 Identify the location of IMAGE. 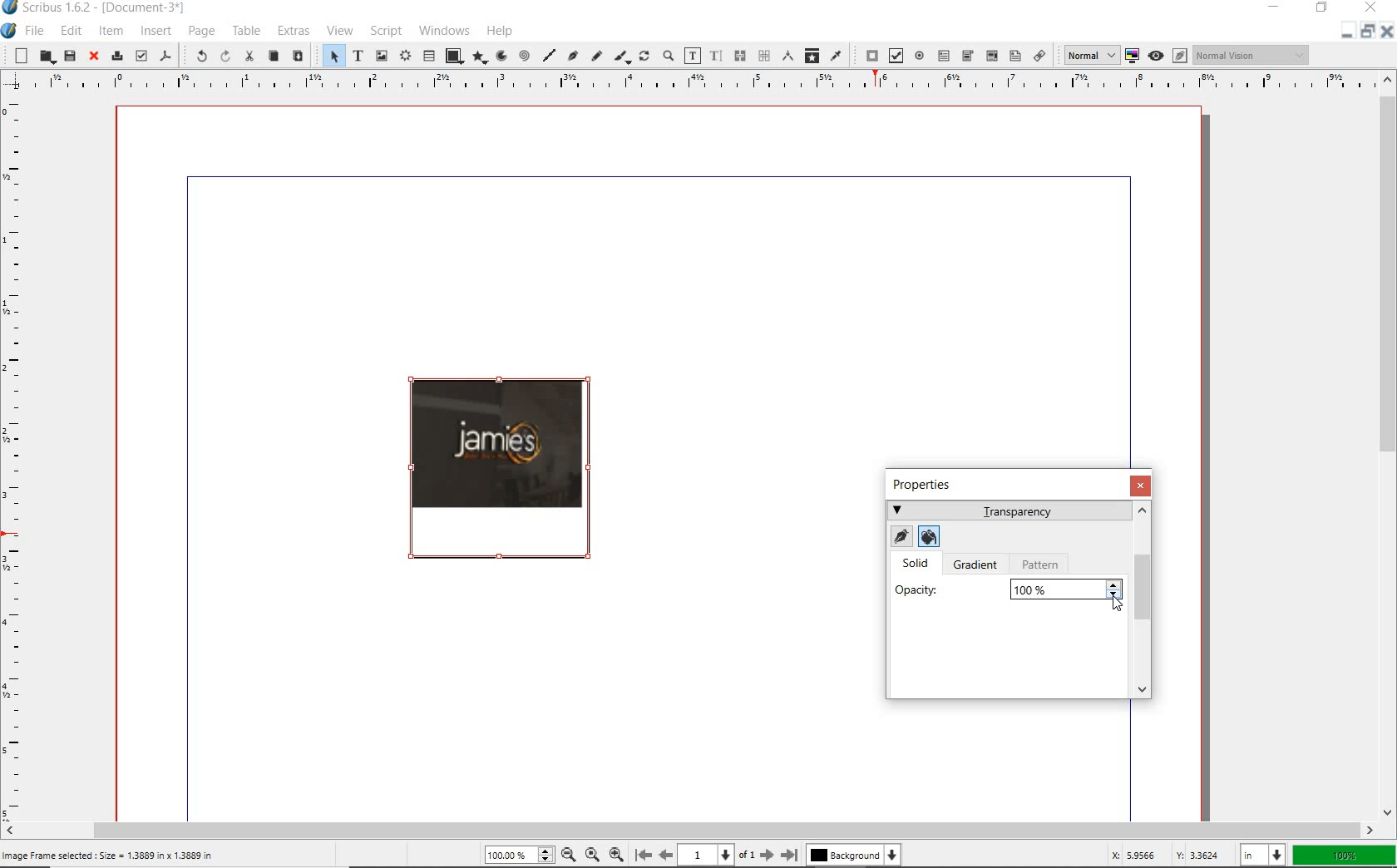
(496, 479).